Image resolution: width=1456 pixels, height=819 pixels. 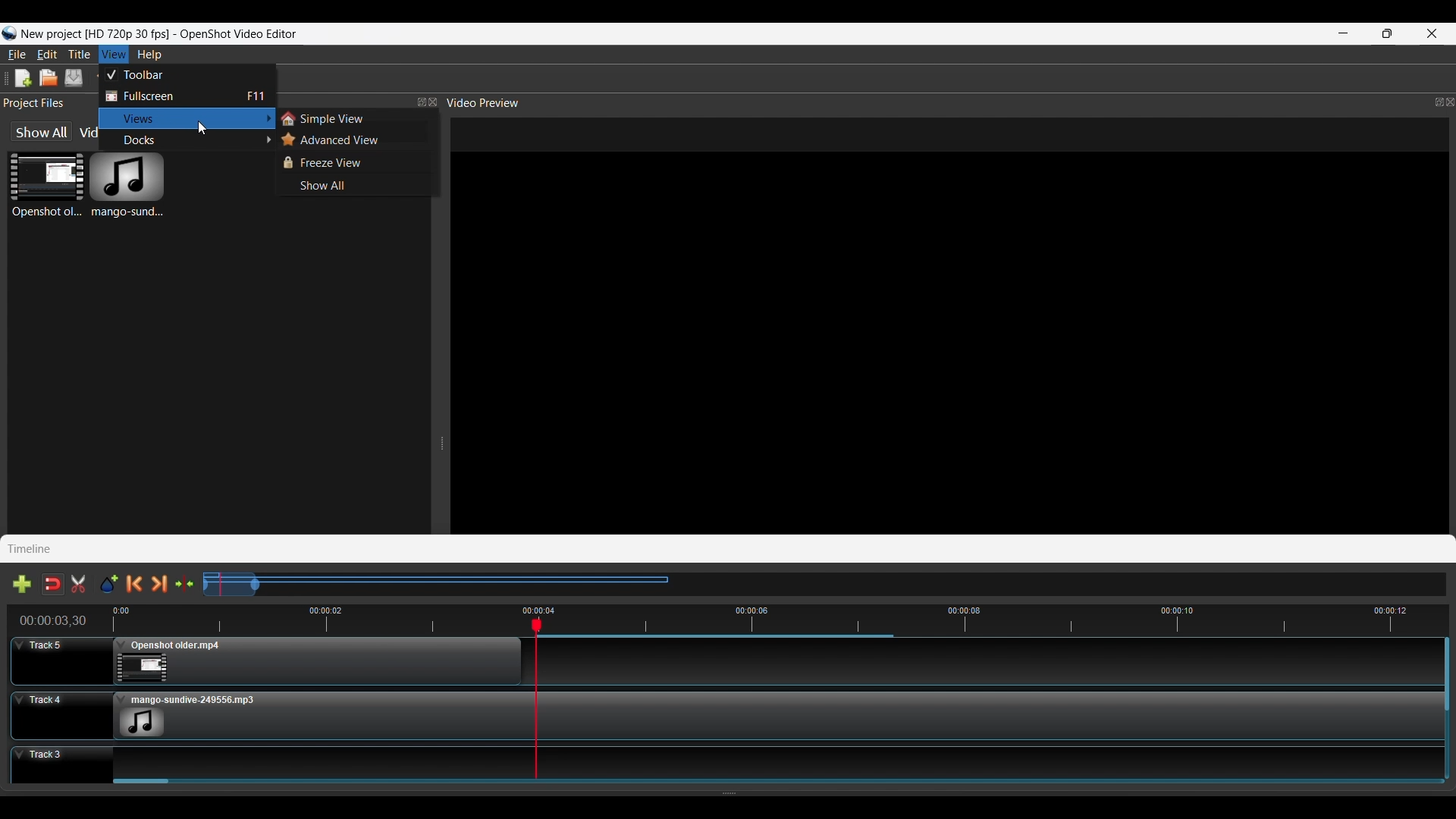 I want to click on Timeline, so click(x=32, y=548).